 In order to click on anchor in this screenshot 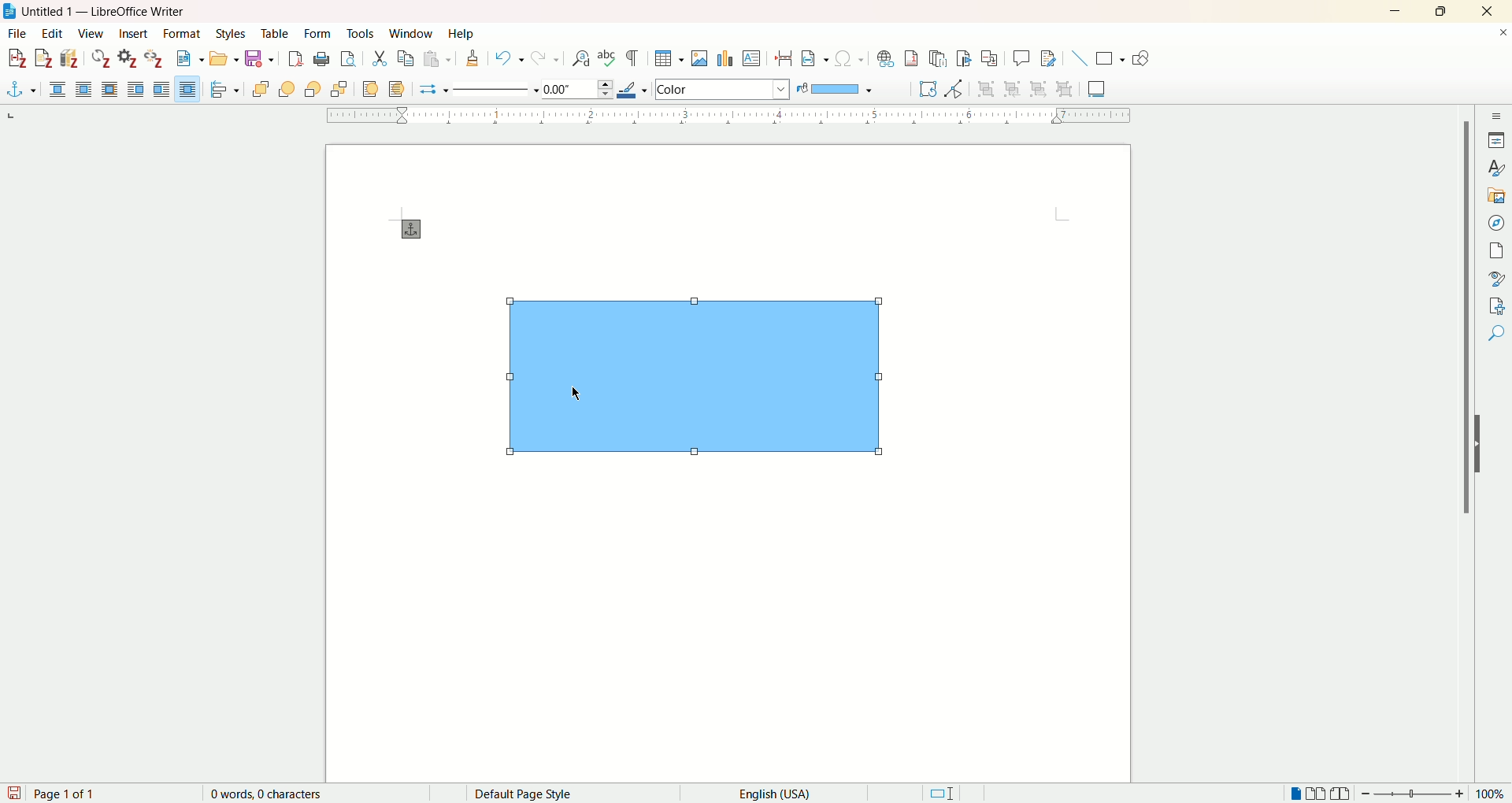, I will do `click(20, 89)`.